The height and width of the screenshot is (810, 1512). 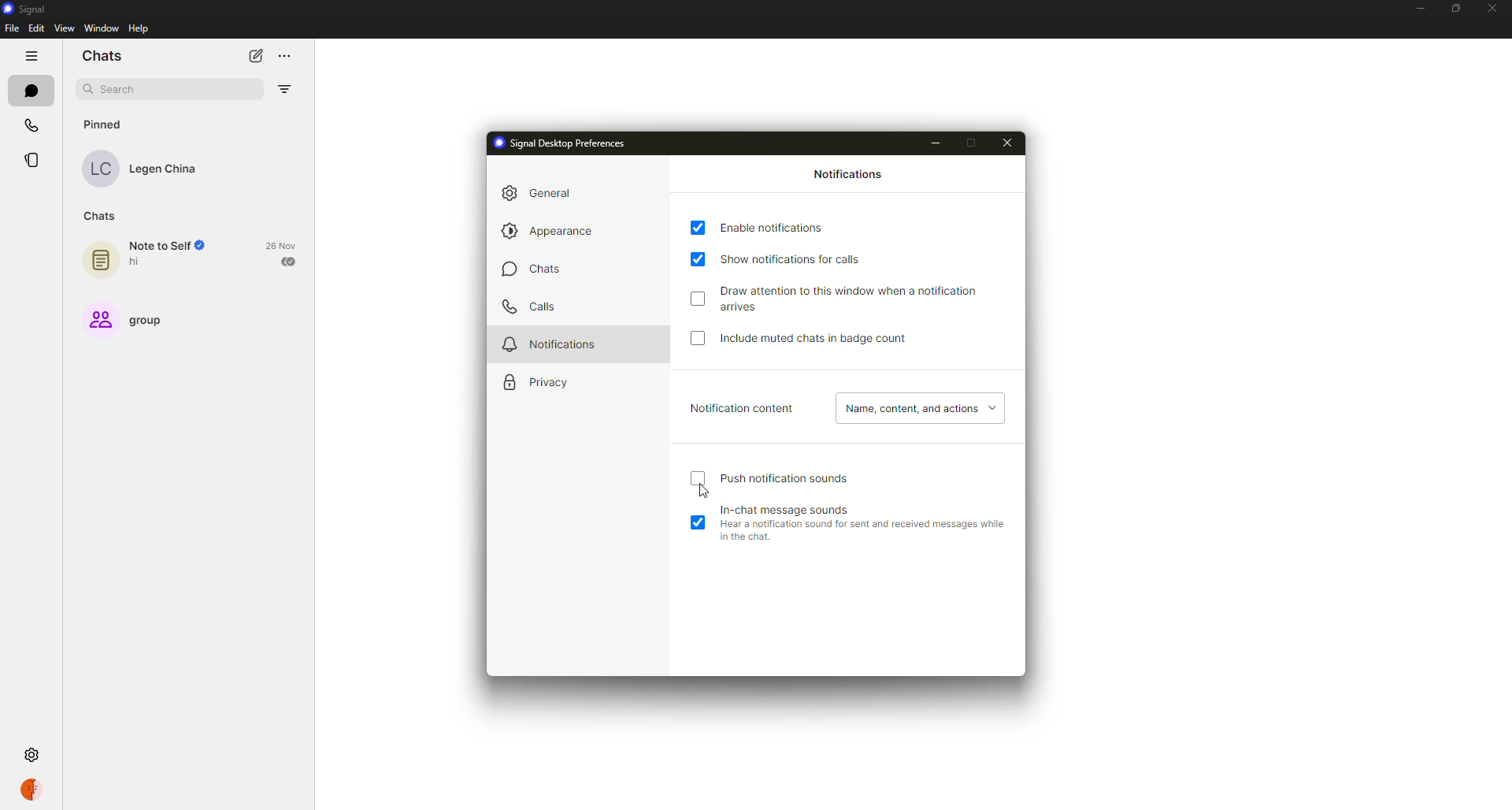 I want to click on click to enable, so click(x=701, y=299).